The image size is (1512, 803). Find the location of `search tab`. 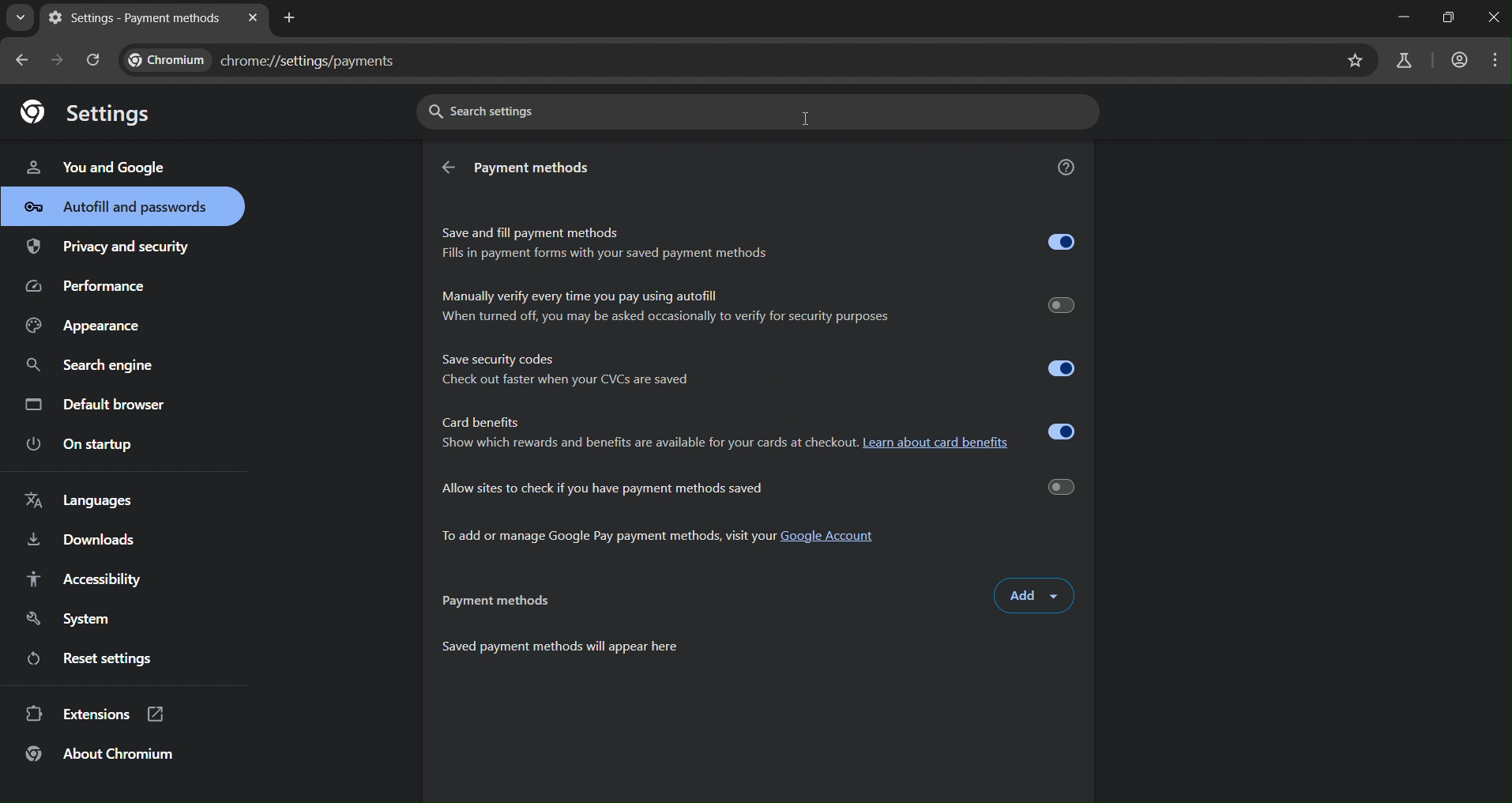

search tab is located at coordinates (20, 18).